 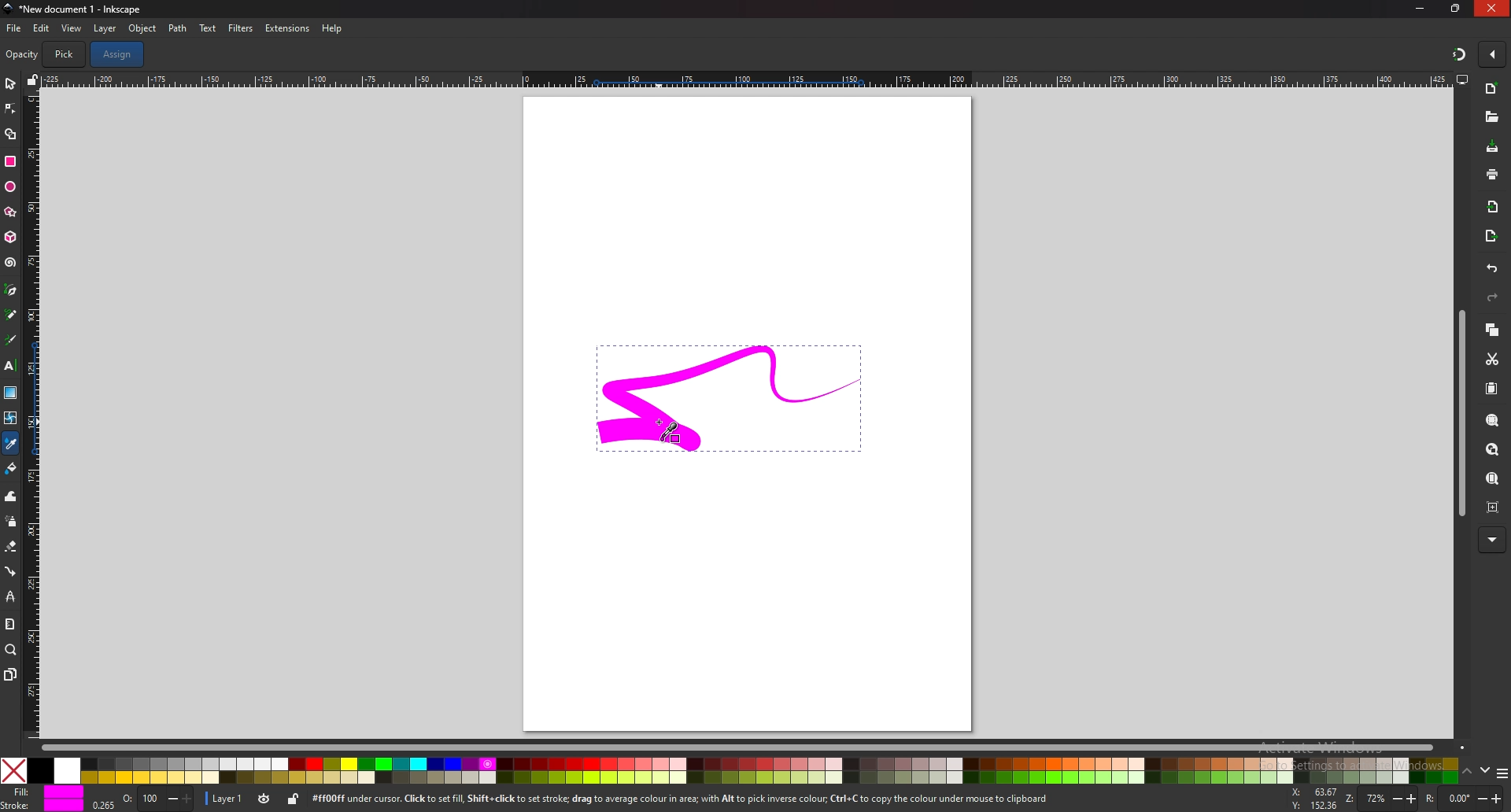 What do you see at coordinates (177, 27) in the screenshot?
I see `path` at bounding box center [177, 27].